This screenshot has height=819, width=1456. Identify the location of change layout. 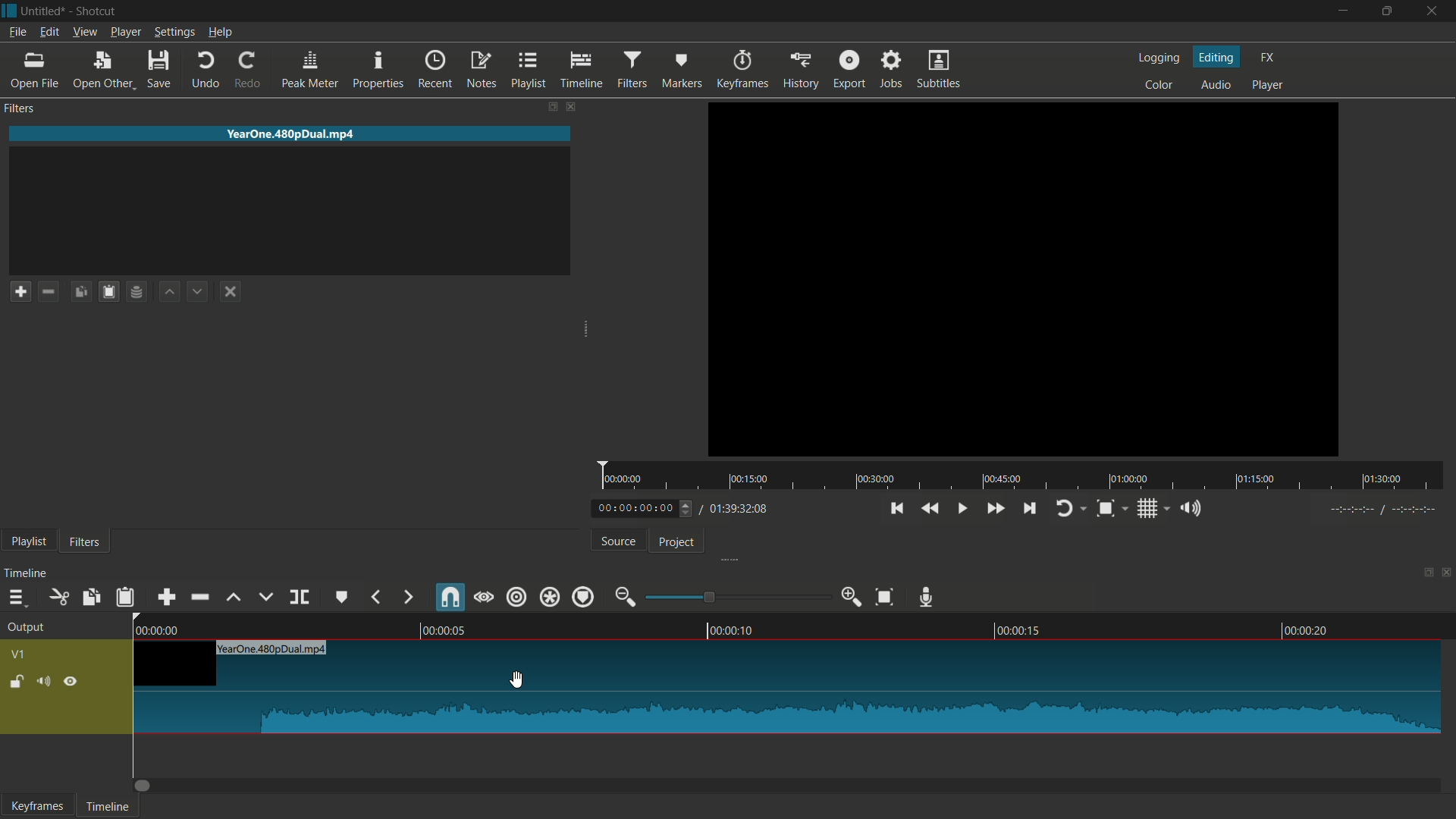
(1423, 574).